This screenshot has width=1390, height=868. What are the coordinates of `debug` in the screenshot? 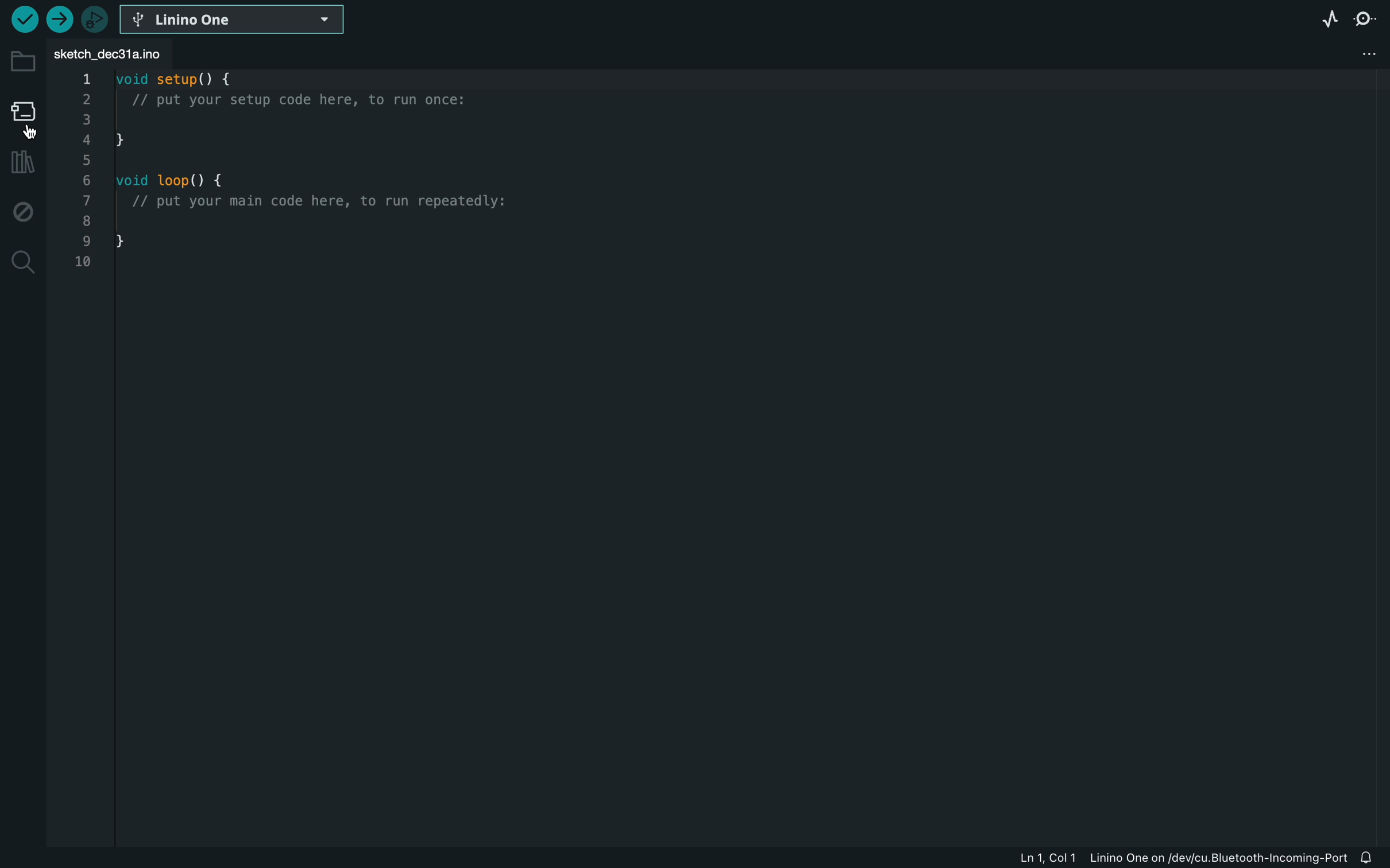 It's located at (23, 212).